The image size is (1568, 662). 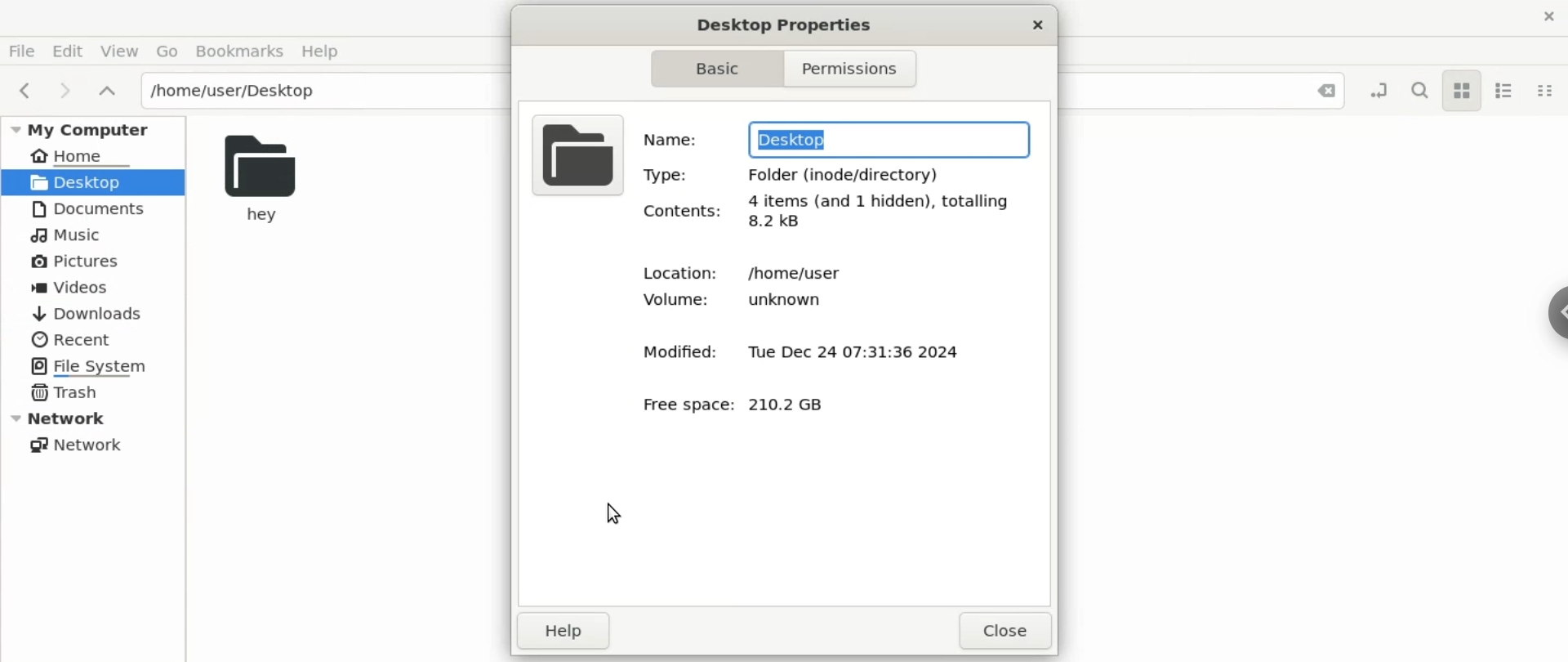 I want to click on close, so click(x=1547, y=17).